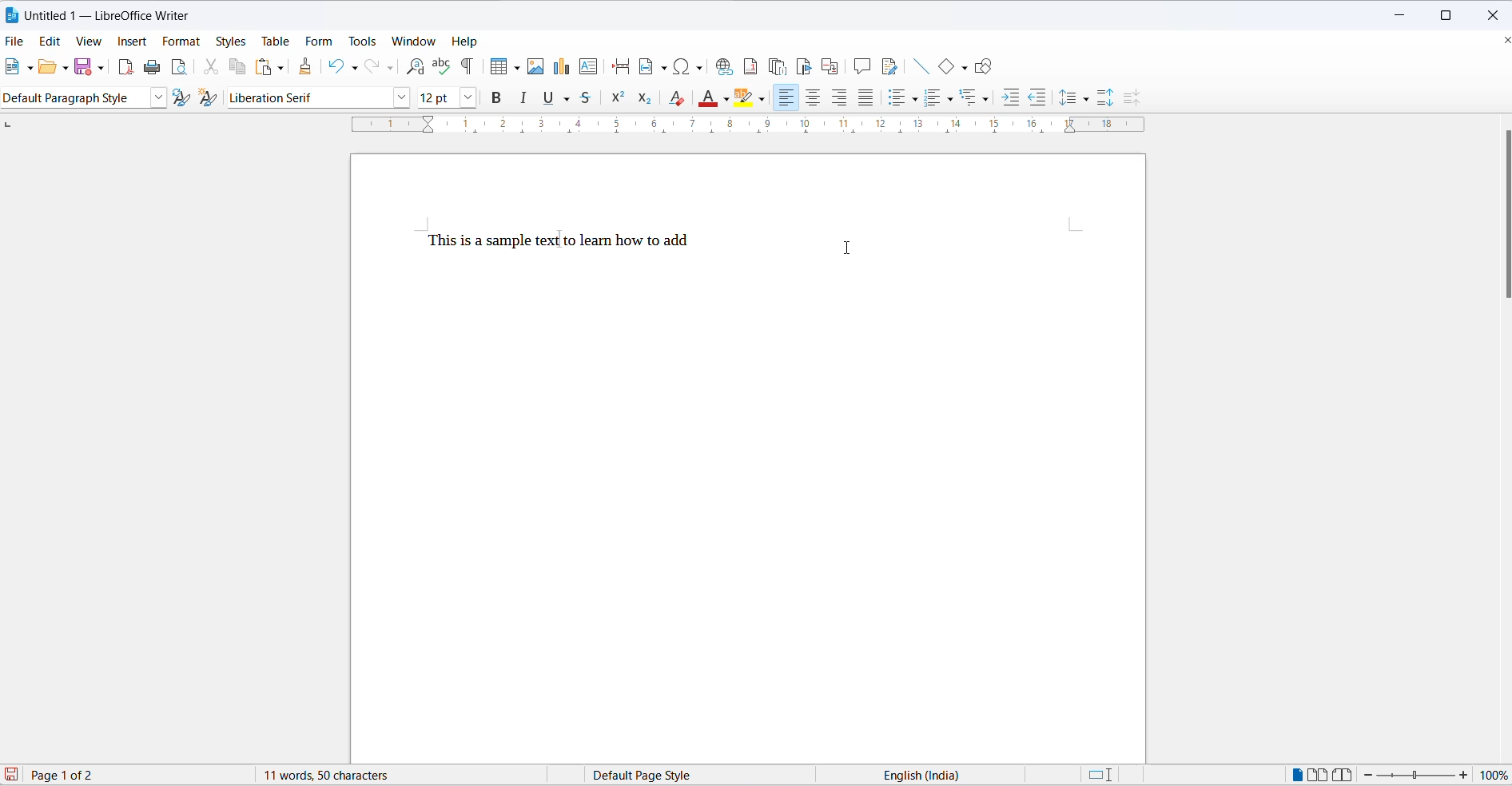  What do you see at coordinates (14, 42) in the screenshot?
I see `file` at bounding box center [14, 42].